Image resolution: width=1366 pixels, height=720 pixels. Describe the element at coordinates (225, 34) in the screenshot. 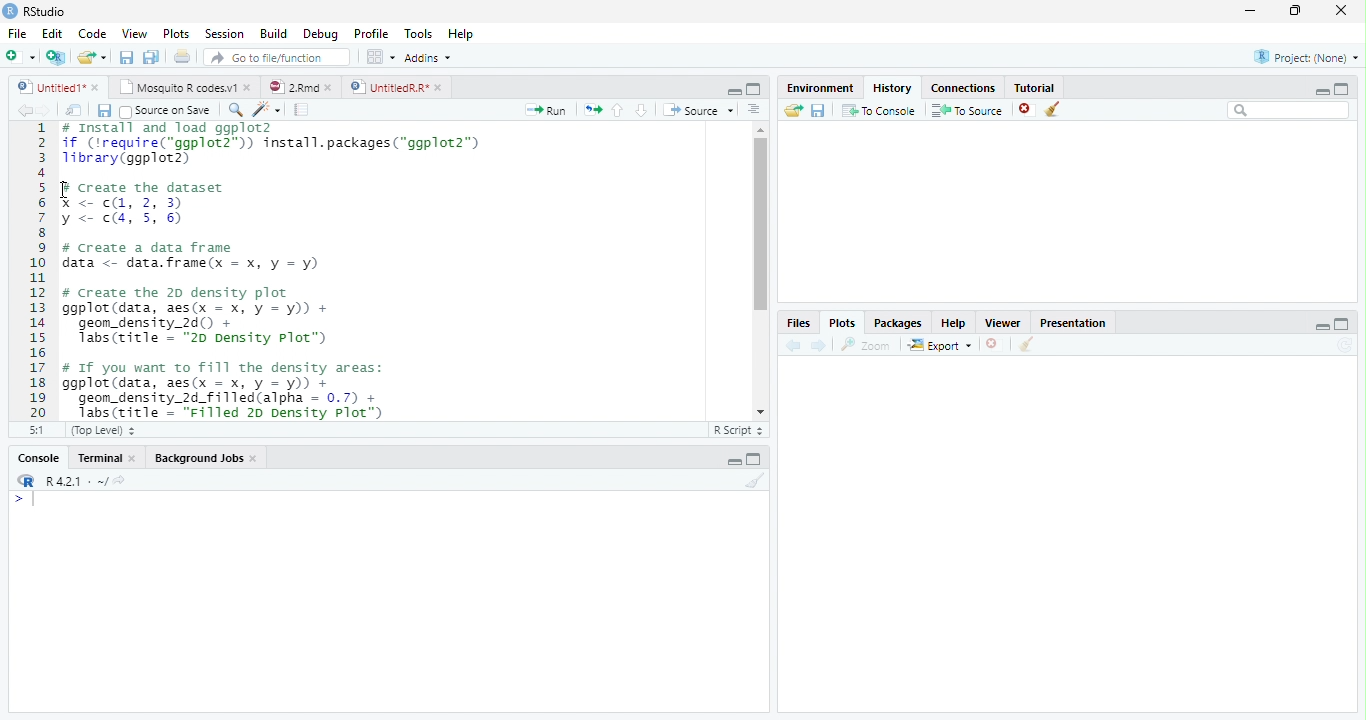

I see `Session` at that location.